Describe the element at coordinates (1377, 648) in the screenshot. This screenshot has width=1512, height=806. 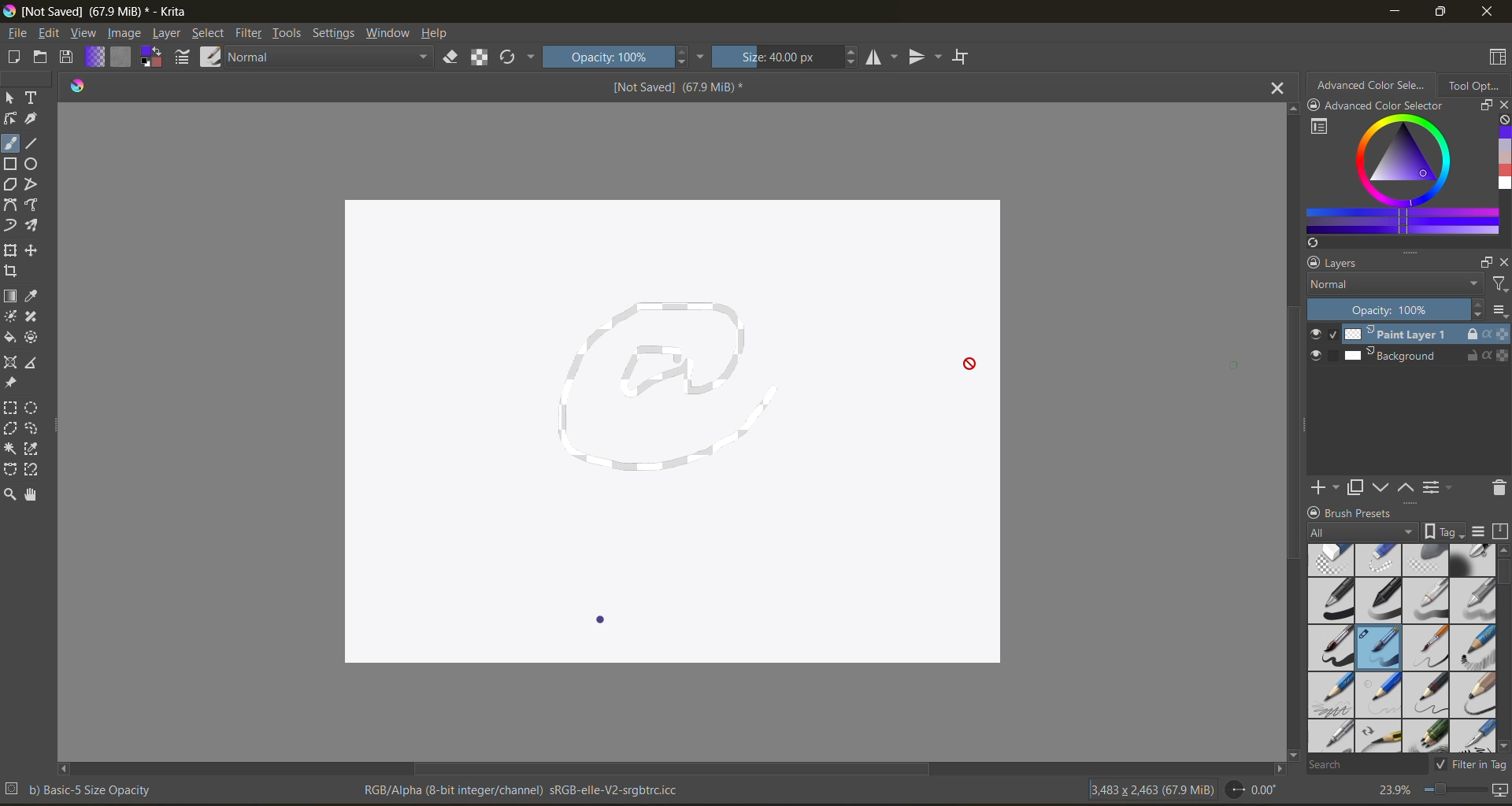
I see `brush` at that location.